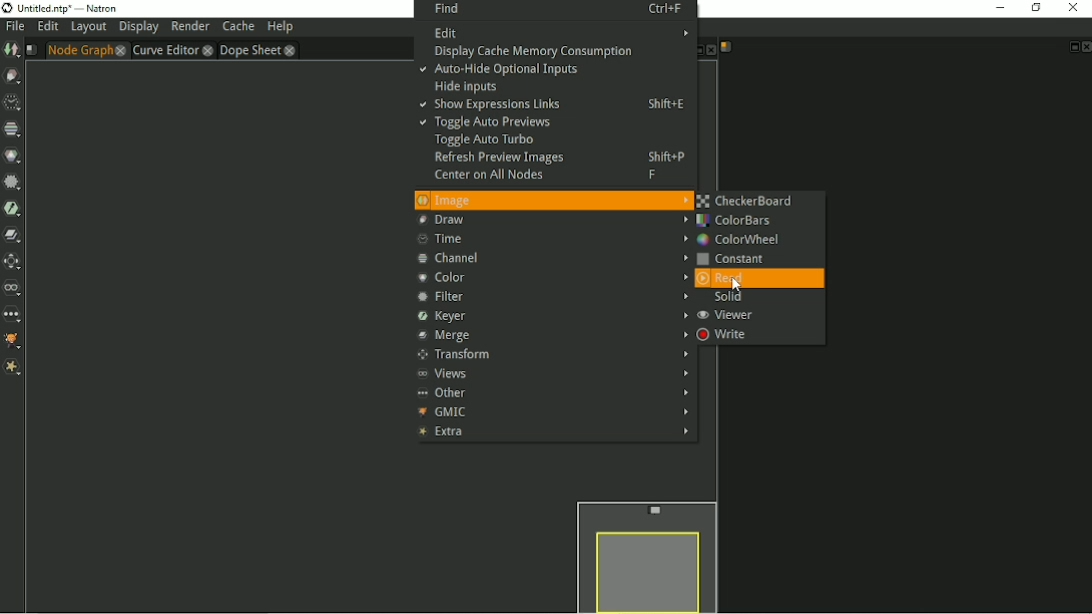 This screenshot has height=614, width=1092. Describe the element at coordinates (13, 288) in the screenshot. I see `Views` at that location.